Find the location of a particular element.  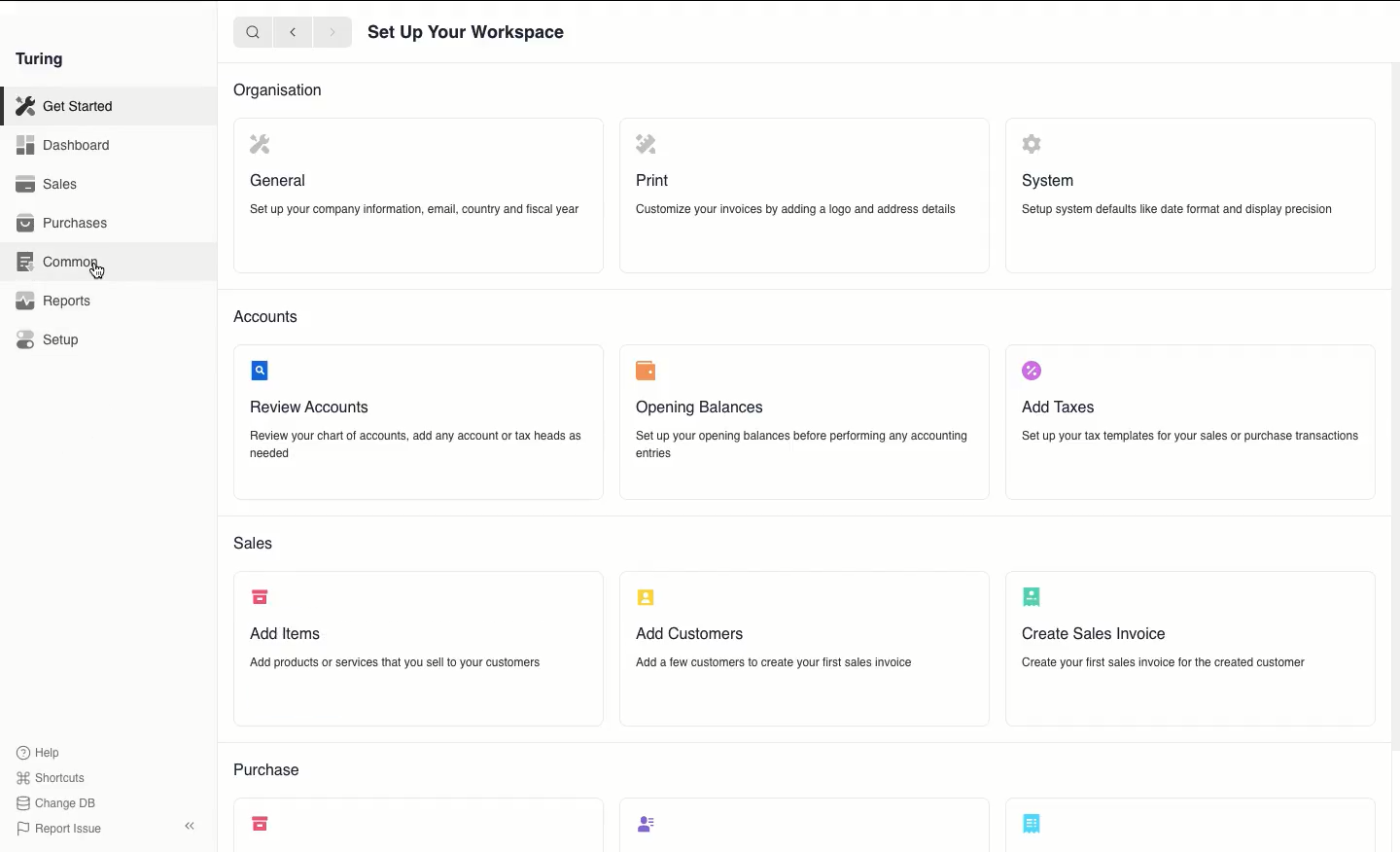

Add a few customers to create your first sales invoice is located at coordinates (775, 662).